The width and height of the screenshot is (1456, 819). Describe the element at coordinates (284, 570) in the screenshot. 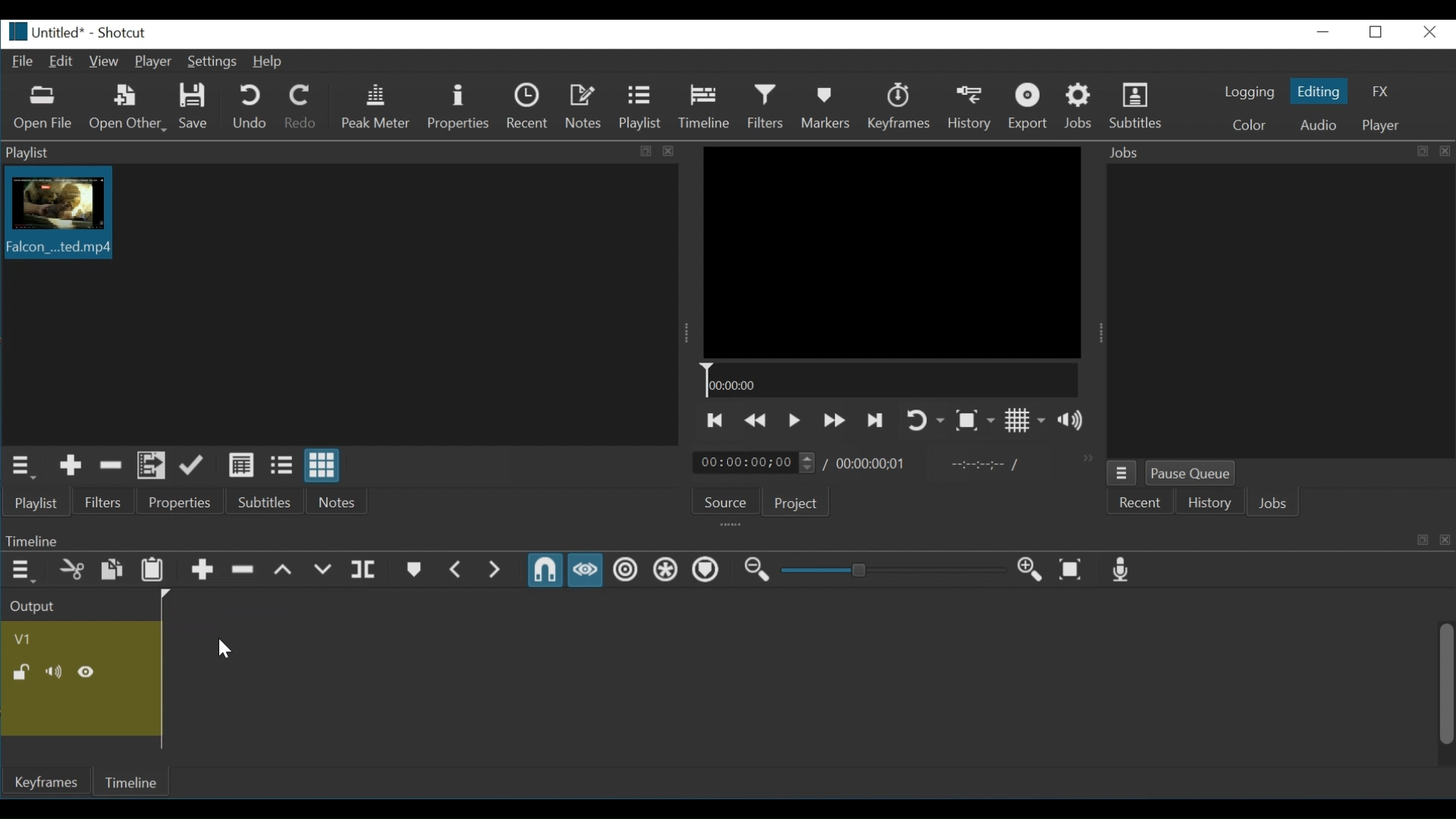

I see `lift ` at that location.